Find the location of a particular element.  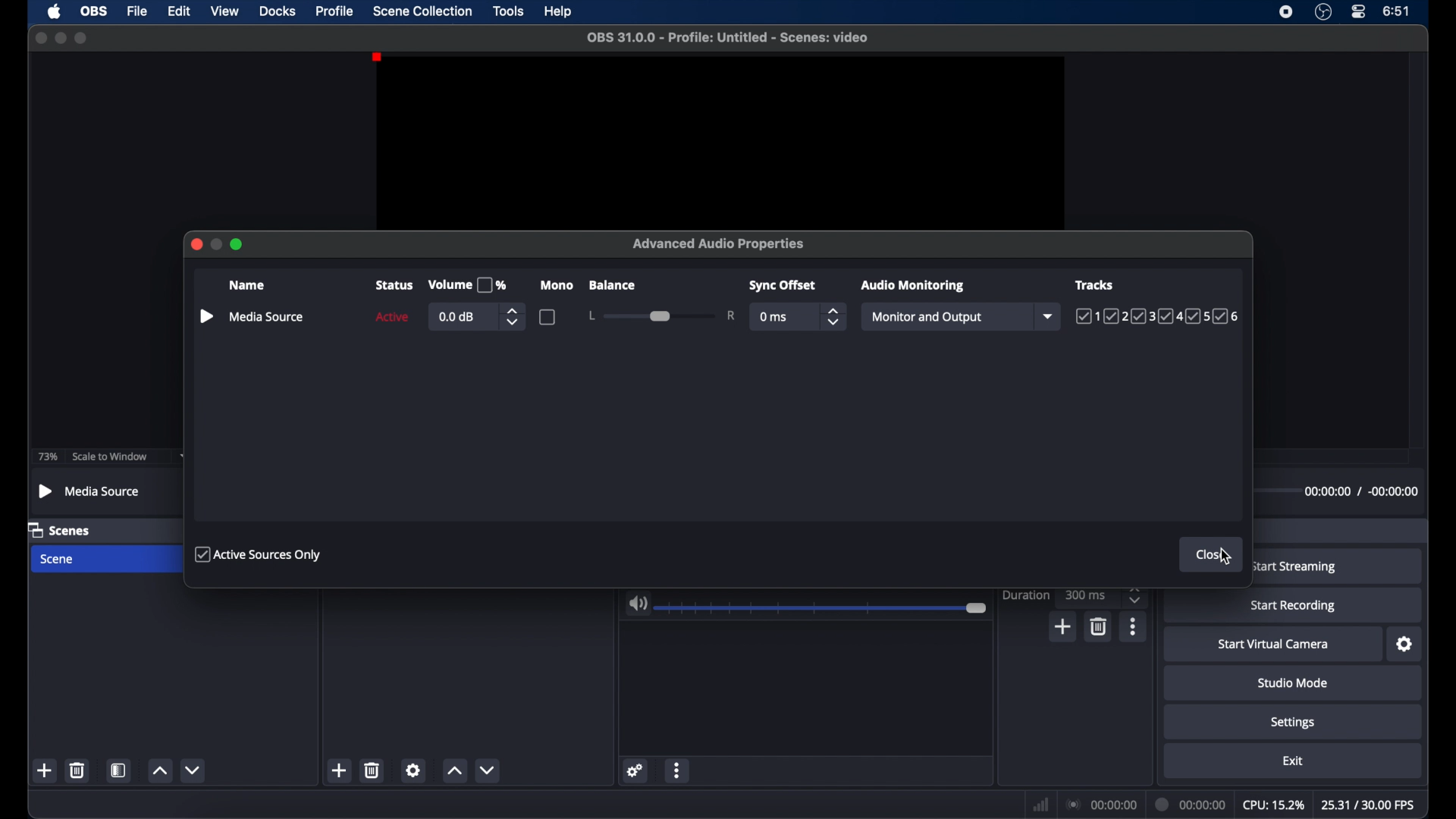

dropdown is located at coordinates (1047, 312).